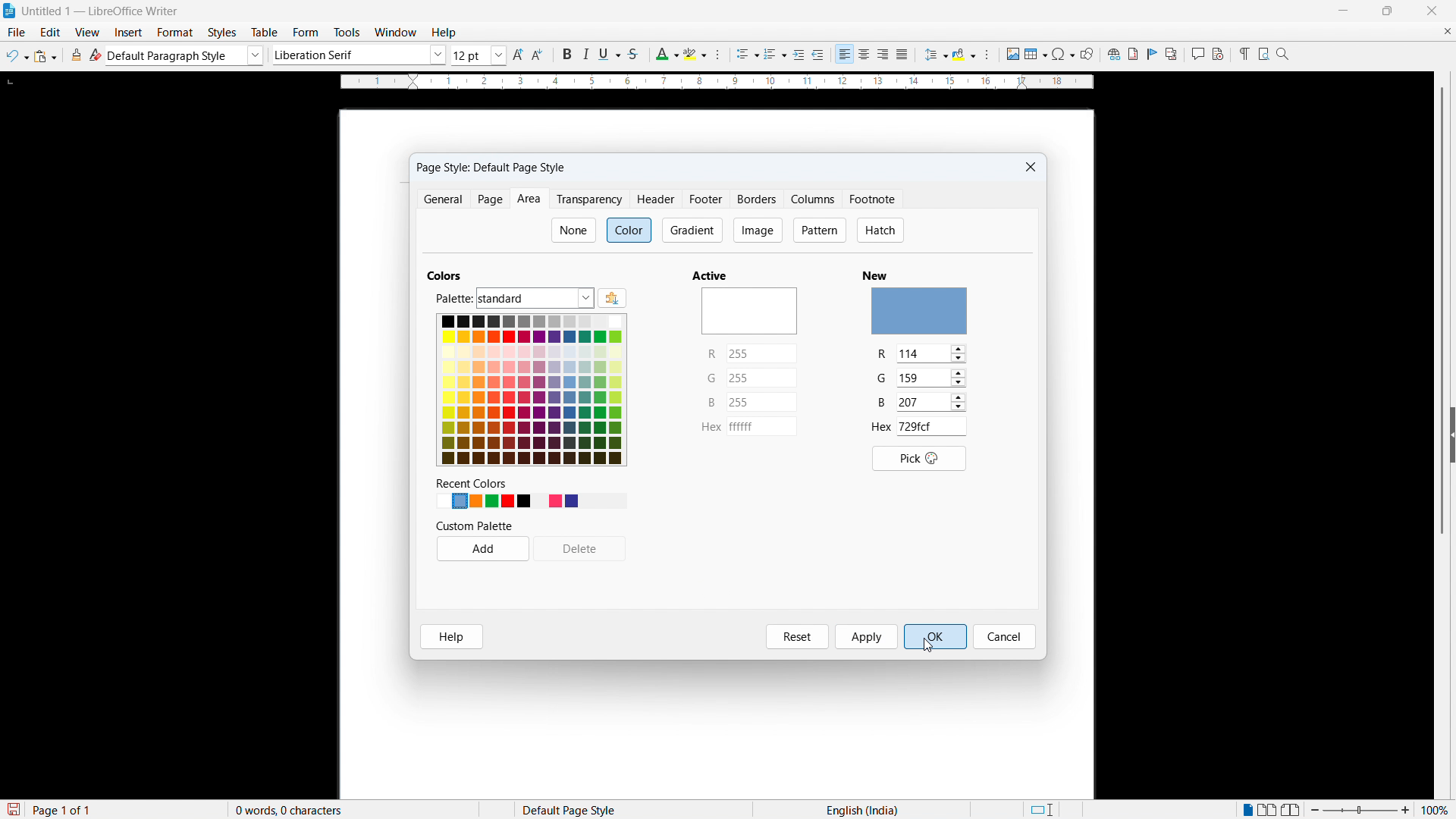 The image size is (1456, 819). What do you see at coordinates (658, 200) in the screenshot?
I see `Header ` at bounding box center [658, 200].